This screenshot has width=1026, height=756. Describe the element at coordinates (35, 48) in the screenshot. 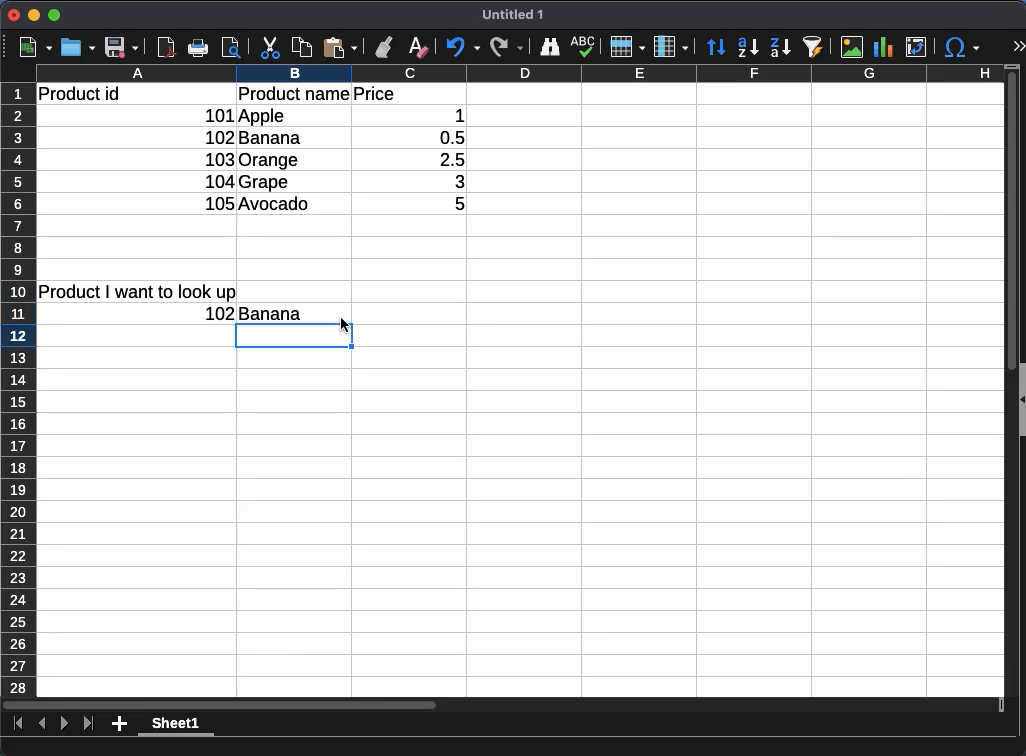

I see `new` at that location.